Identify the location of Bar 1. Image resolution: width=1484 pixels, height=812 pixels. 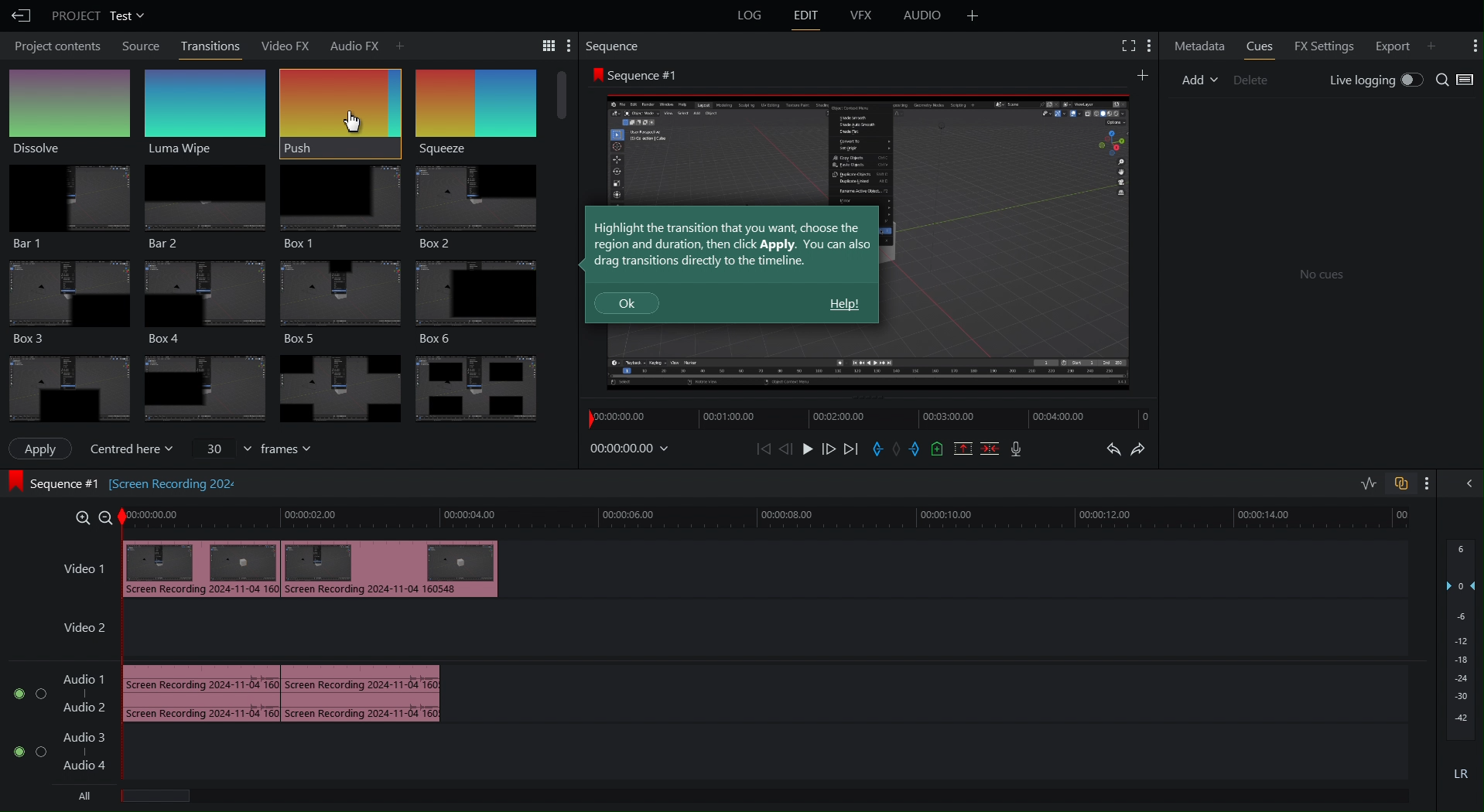
(64, 207).